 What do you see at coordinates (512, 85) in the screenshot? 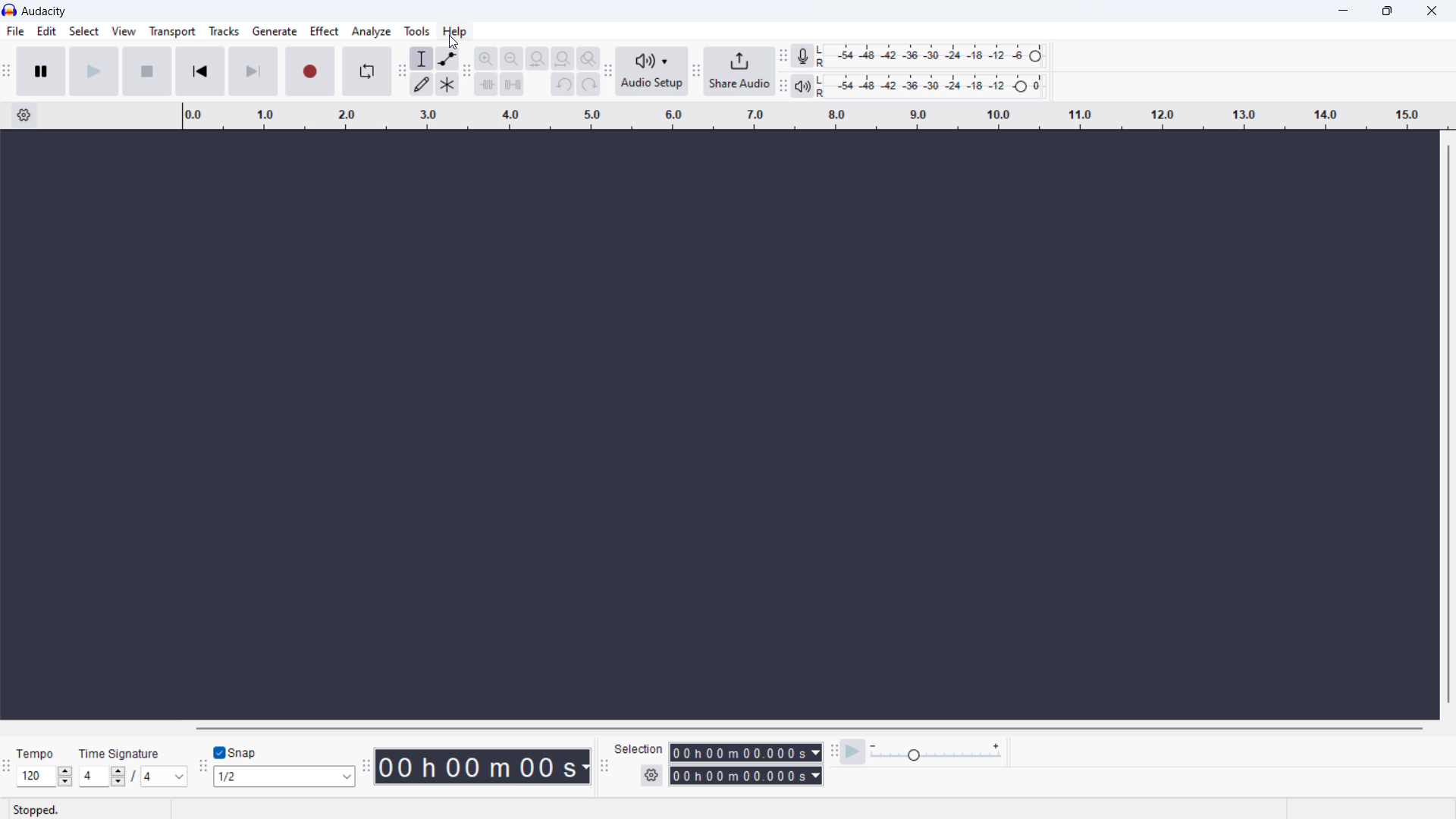
I see `silence selection` at bounding box center [512, 85].